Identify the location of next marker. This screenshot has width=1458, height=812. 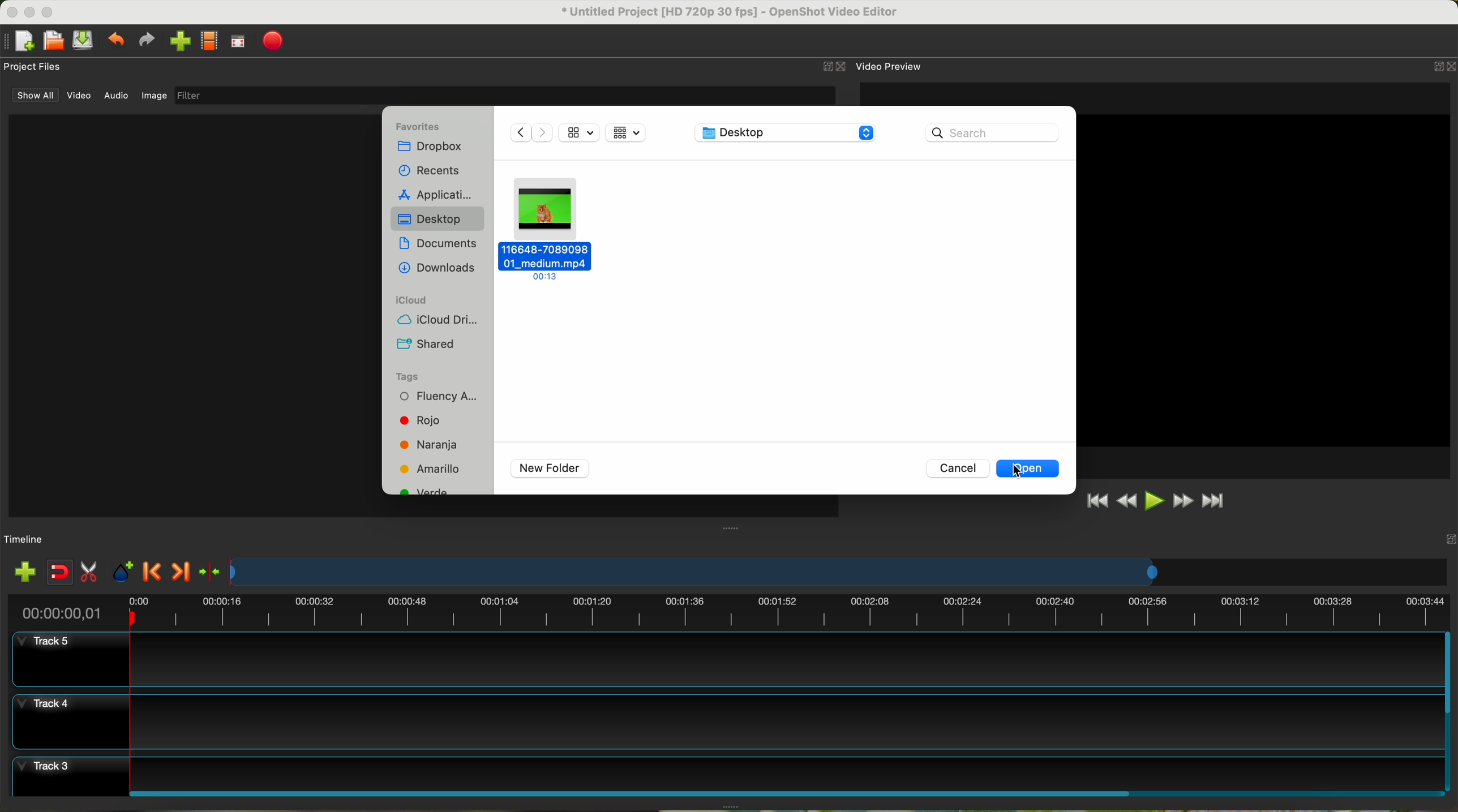
(183, 573).